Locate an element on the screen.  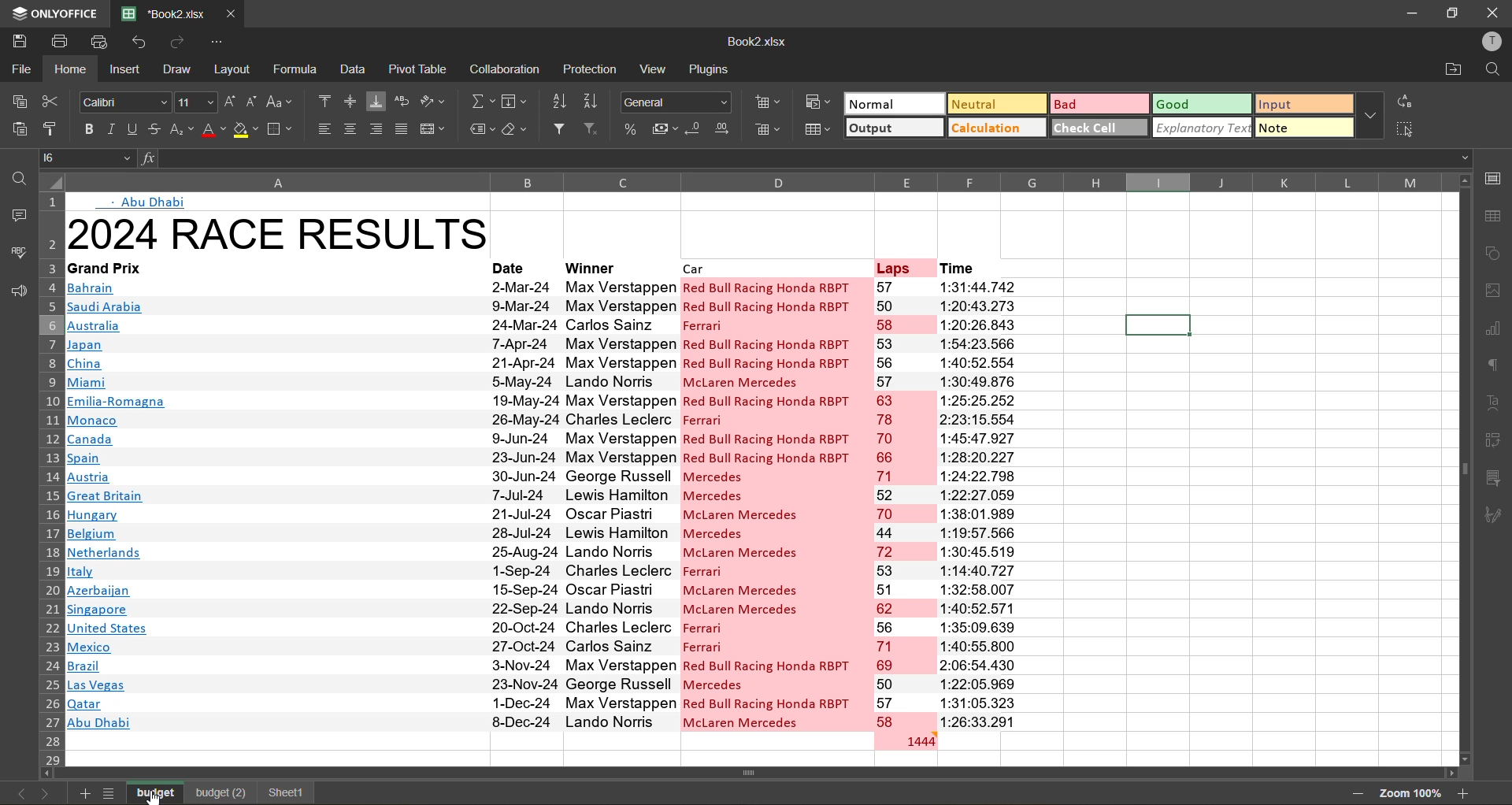
car is located at coordinates (770, 268).